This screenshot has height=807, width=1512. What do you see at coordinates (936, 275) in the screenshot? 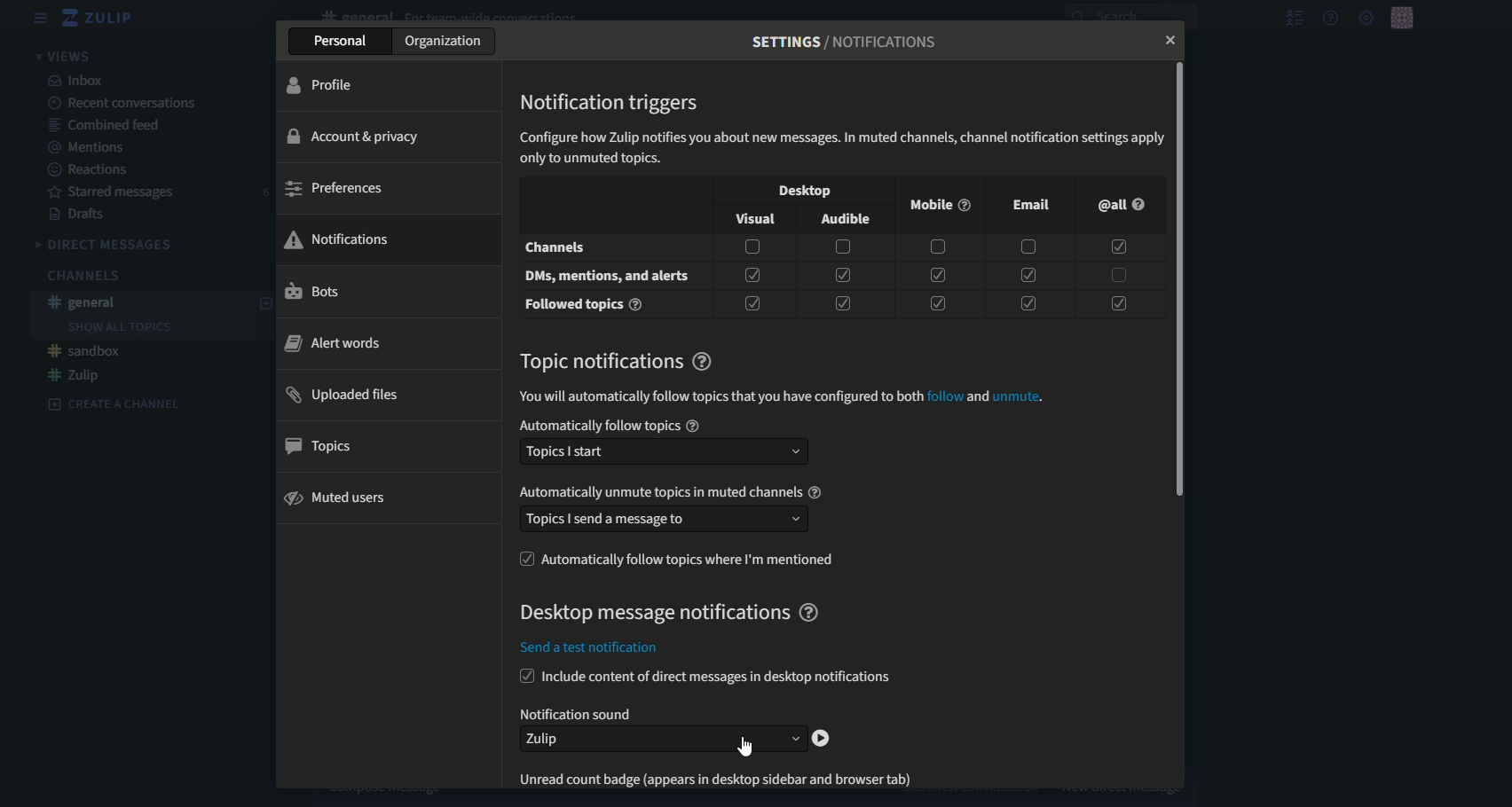
I see `checkbox` at bounding box center [936, 275].